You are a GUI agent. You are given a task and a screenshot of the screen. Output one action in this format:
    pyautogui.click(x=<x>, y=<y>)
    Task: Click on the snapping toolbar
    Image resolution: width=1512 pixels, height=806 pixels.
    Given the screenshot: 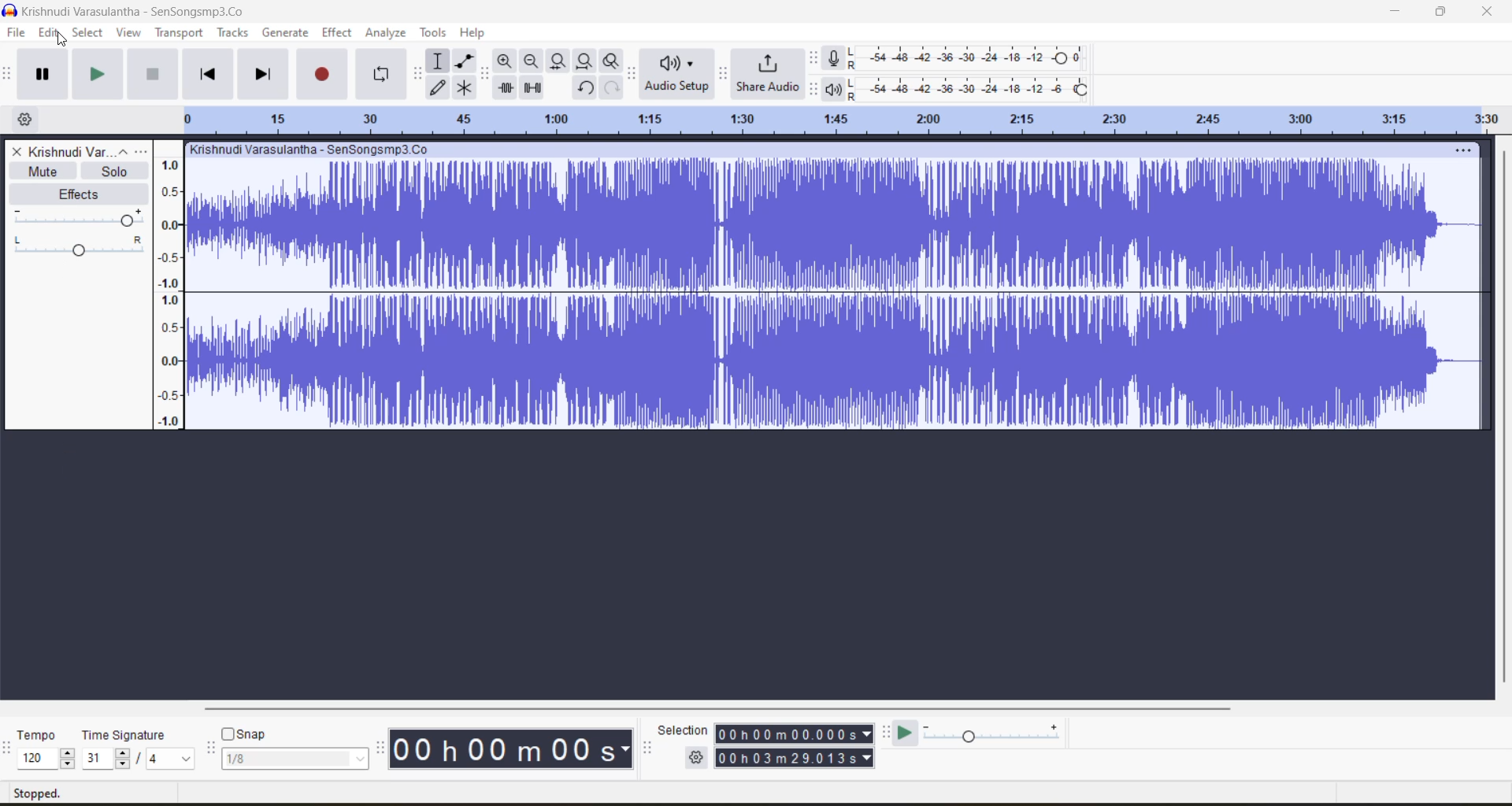 What is the action you would take?
    pyautogui.click(x=208, y=749)
    